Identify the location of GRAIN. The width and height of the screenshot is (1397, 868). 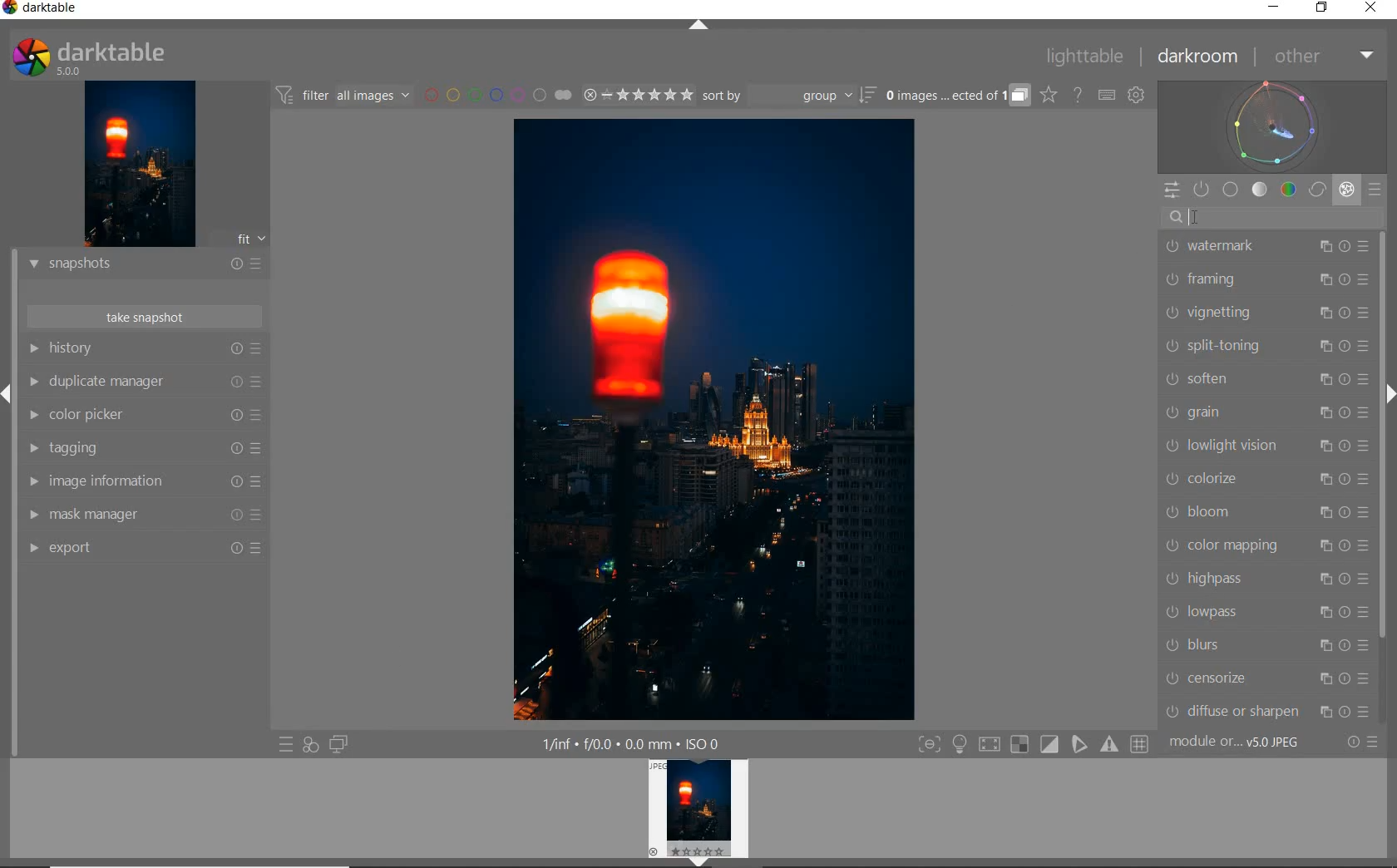
(1225, 412).